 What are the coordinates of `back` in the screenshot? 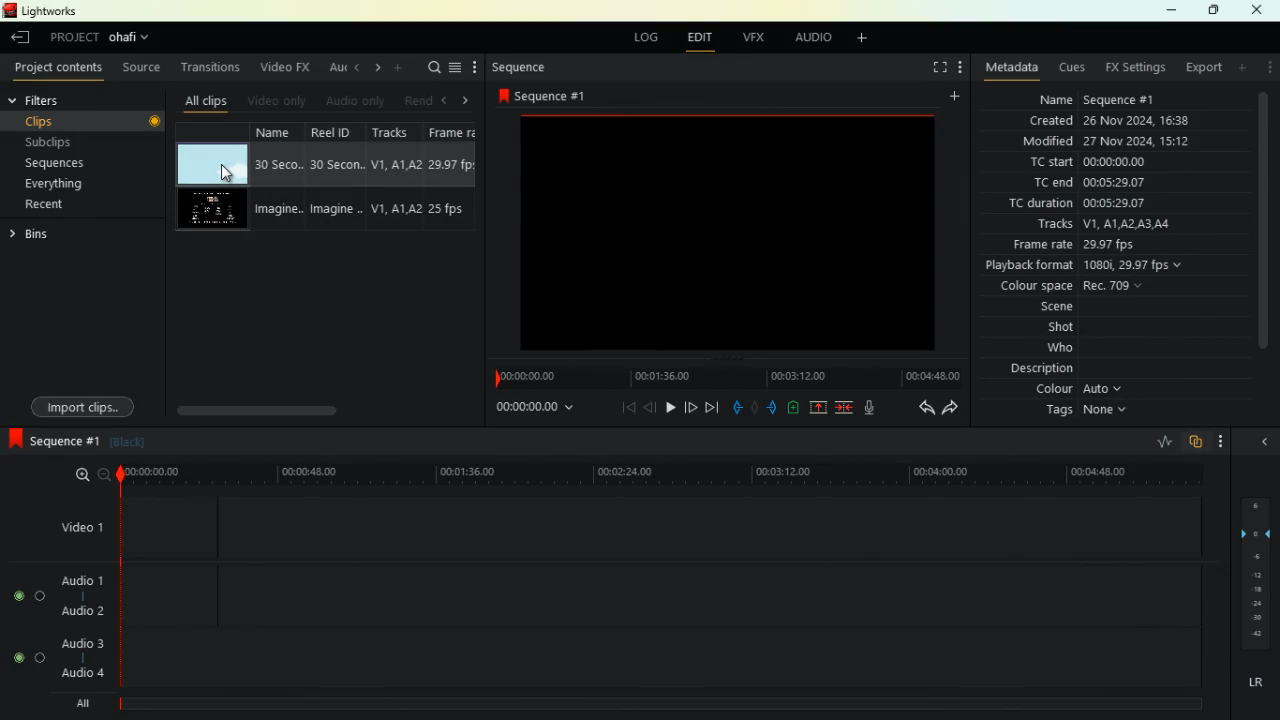 It's located at (926, 410).